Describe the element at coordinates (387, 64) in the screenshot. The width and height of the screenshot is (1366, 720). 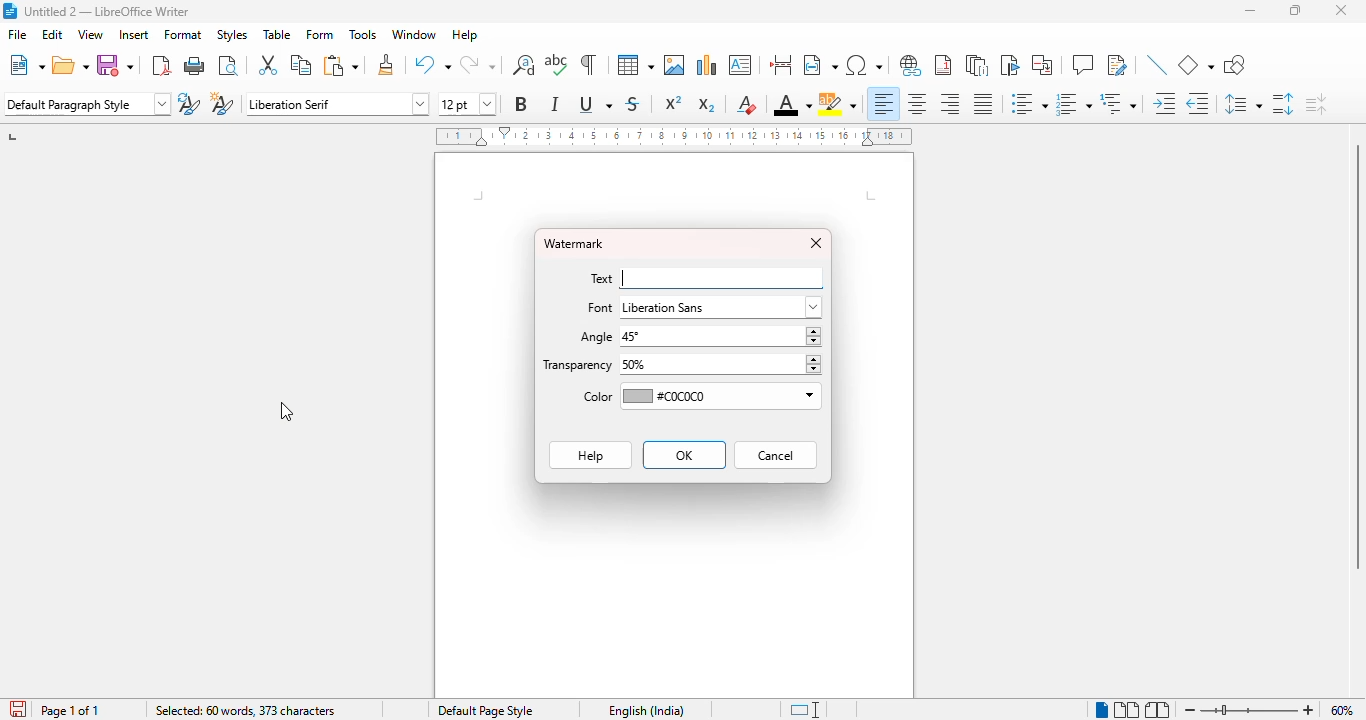
I see `clone formatting` at that location.